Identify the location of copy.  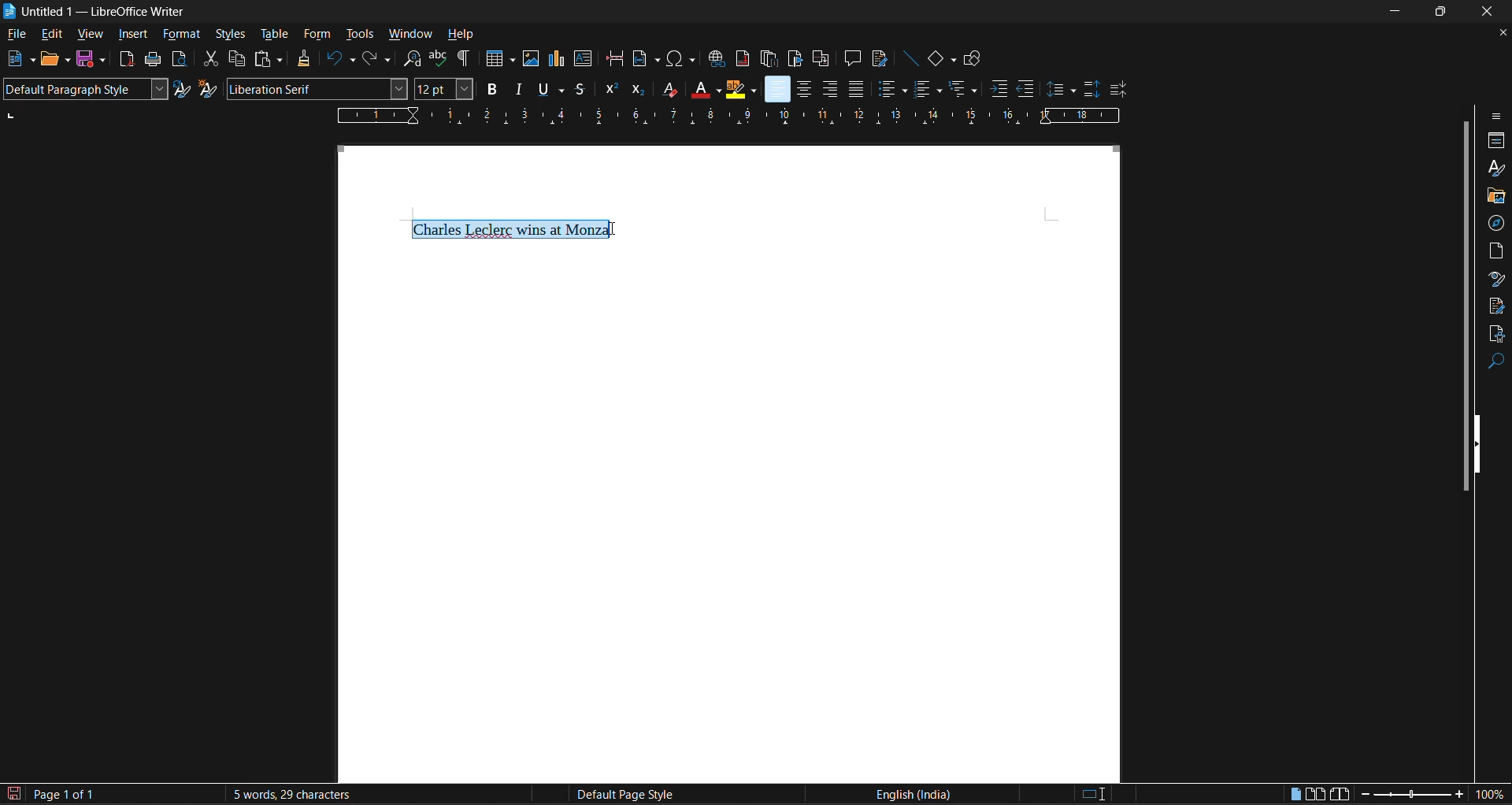
(235, 58).